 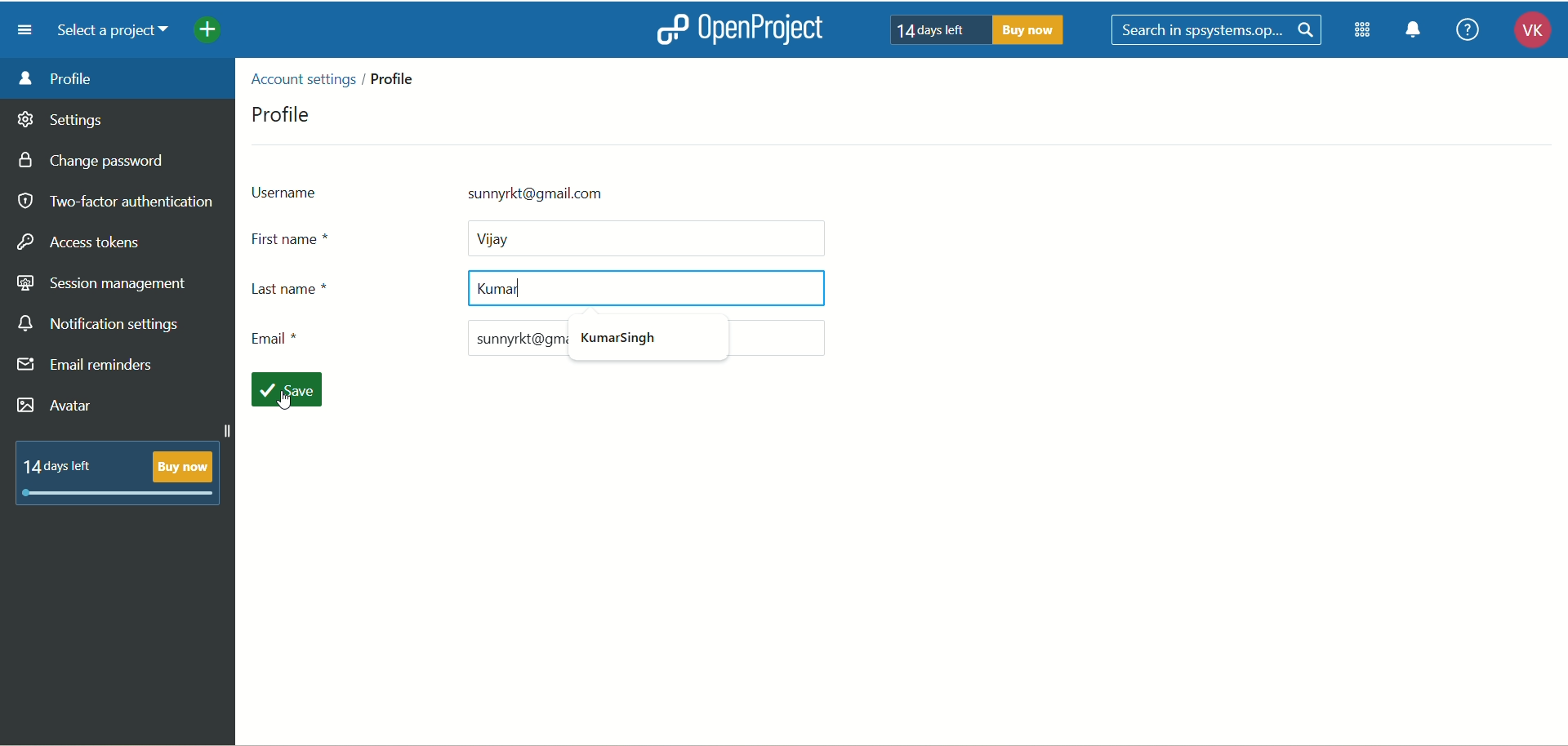 I want to click on select a project, so click(x=119, y=33).